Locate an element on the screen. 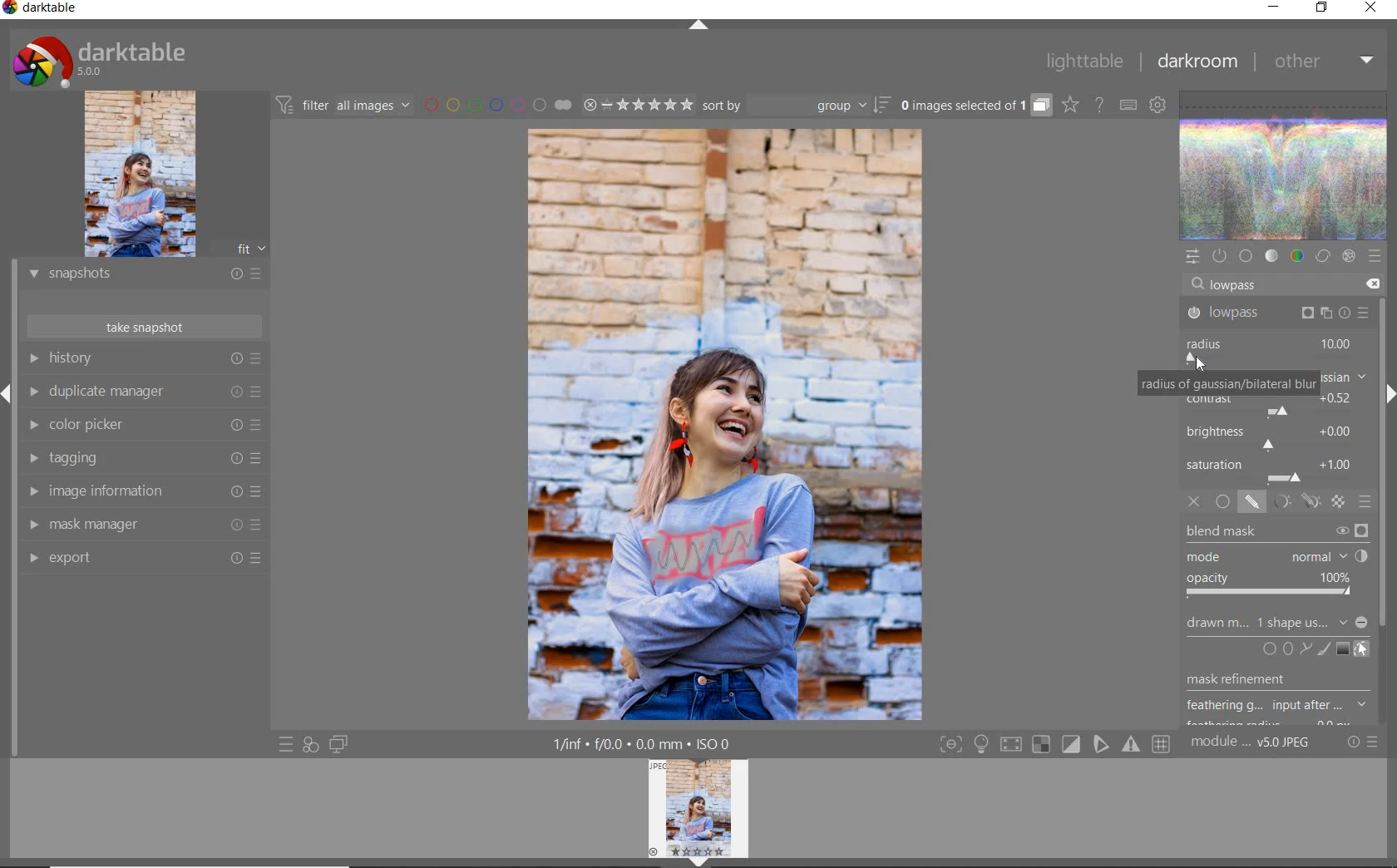 The width and height of the screenshot is (1397, 868). quick access to presets is located at coordinates (288, 743).